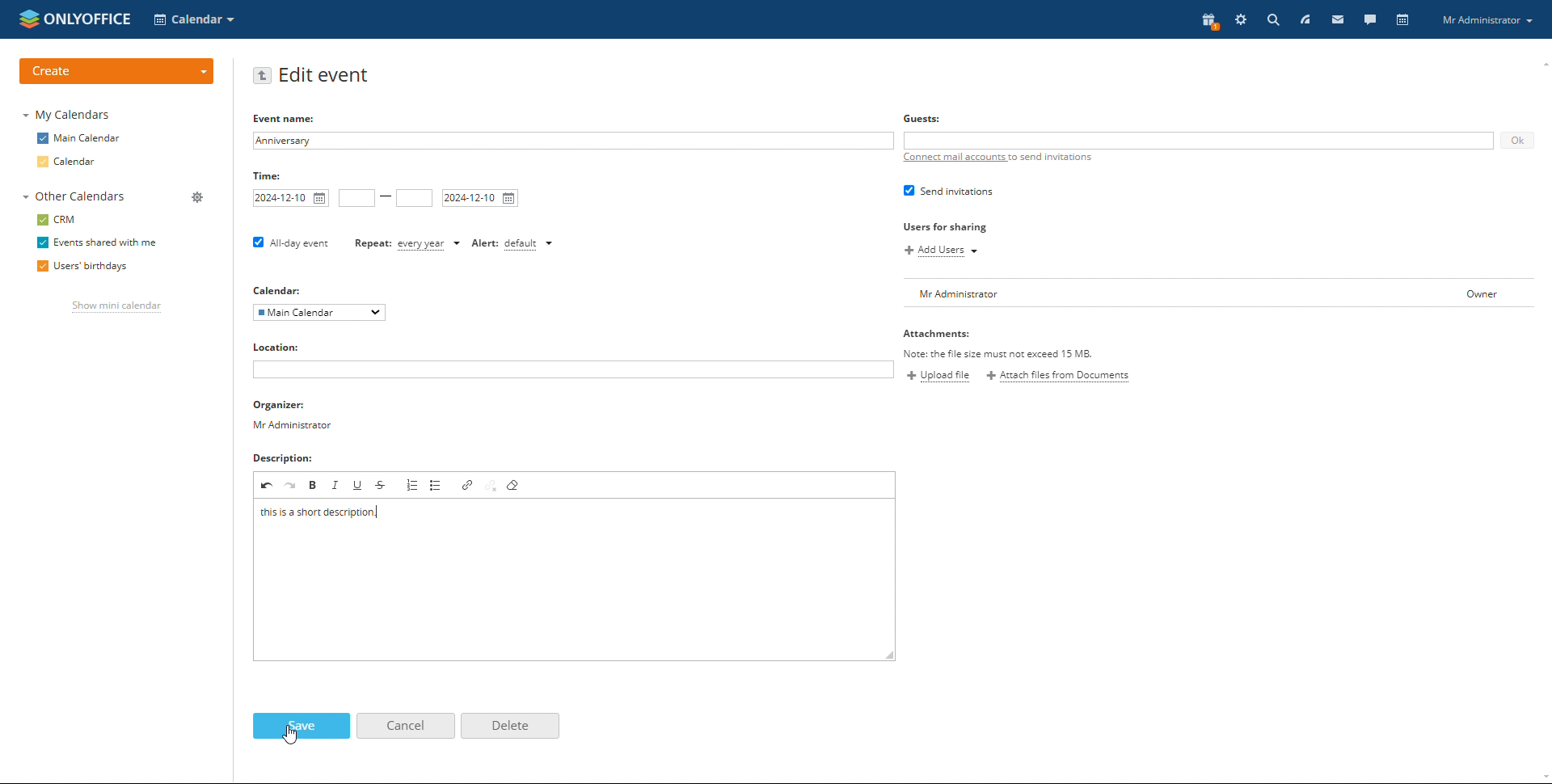  Describe the element at coordinates (327, 76) in the screenshot. I see `edit event` at that location.